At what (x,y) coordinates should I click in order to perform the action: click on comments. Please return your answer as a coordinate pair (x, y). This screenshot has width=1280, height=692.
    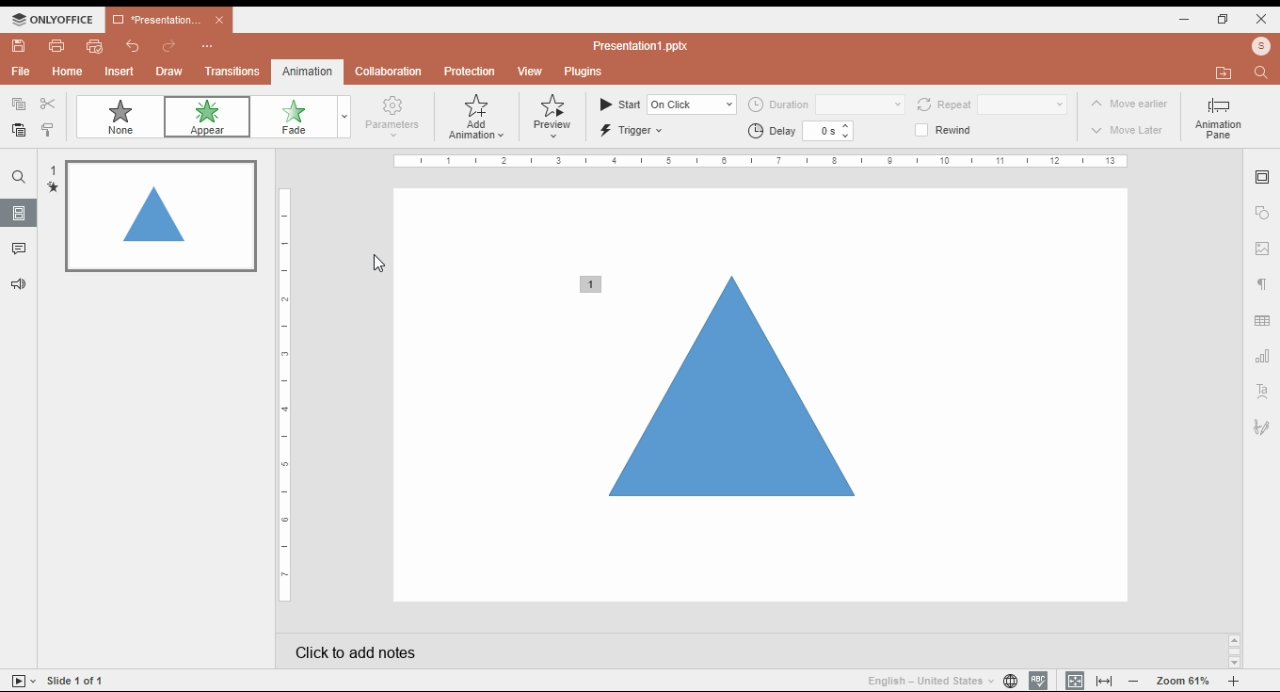
    Looking at the image, I should click on (20, 249).